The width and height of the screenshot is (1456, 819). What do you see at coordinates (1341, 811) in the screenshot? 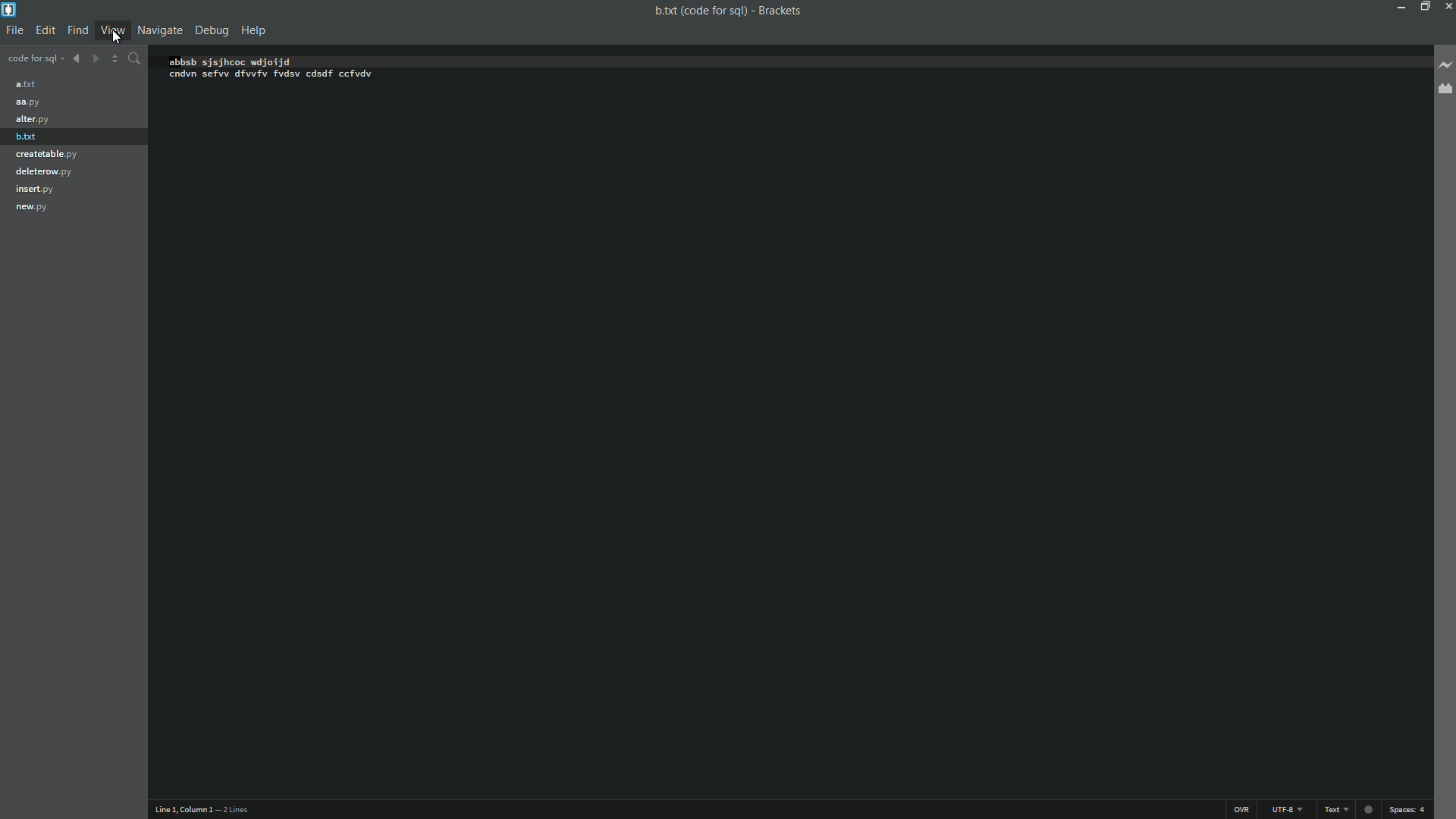
I see `text` at bounding box center [1341, 811].